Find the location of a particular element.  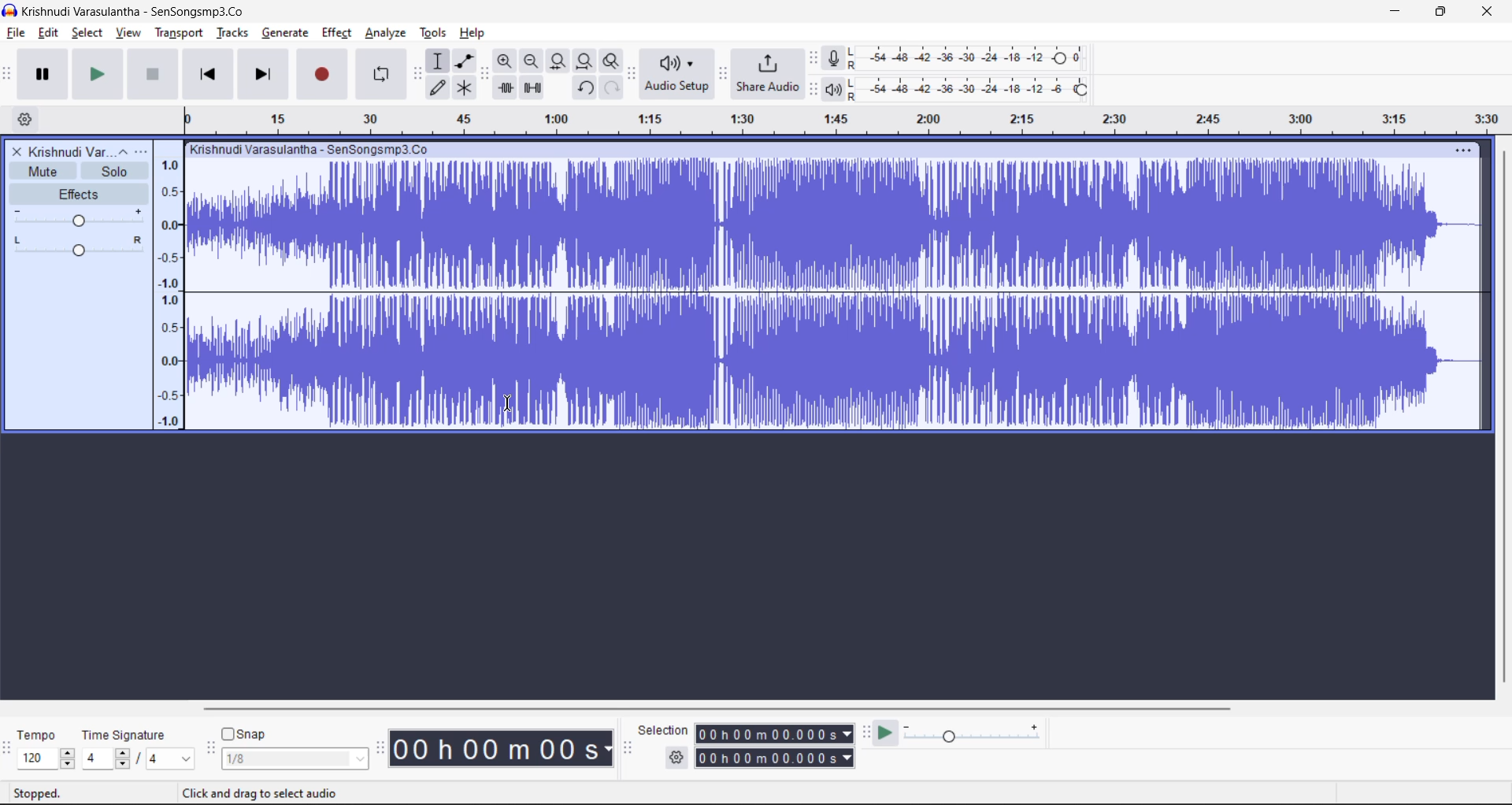

record meter is located at coordinates (839, 58).